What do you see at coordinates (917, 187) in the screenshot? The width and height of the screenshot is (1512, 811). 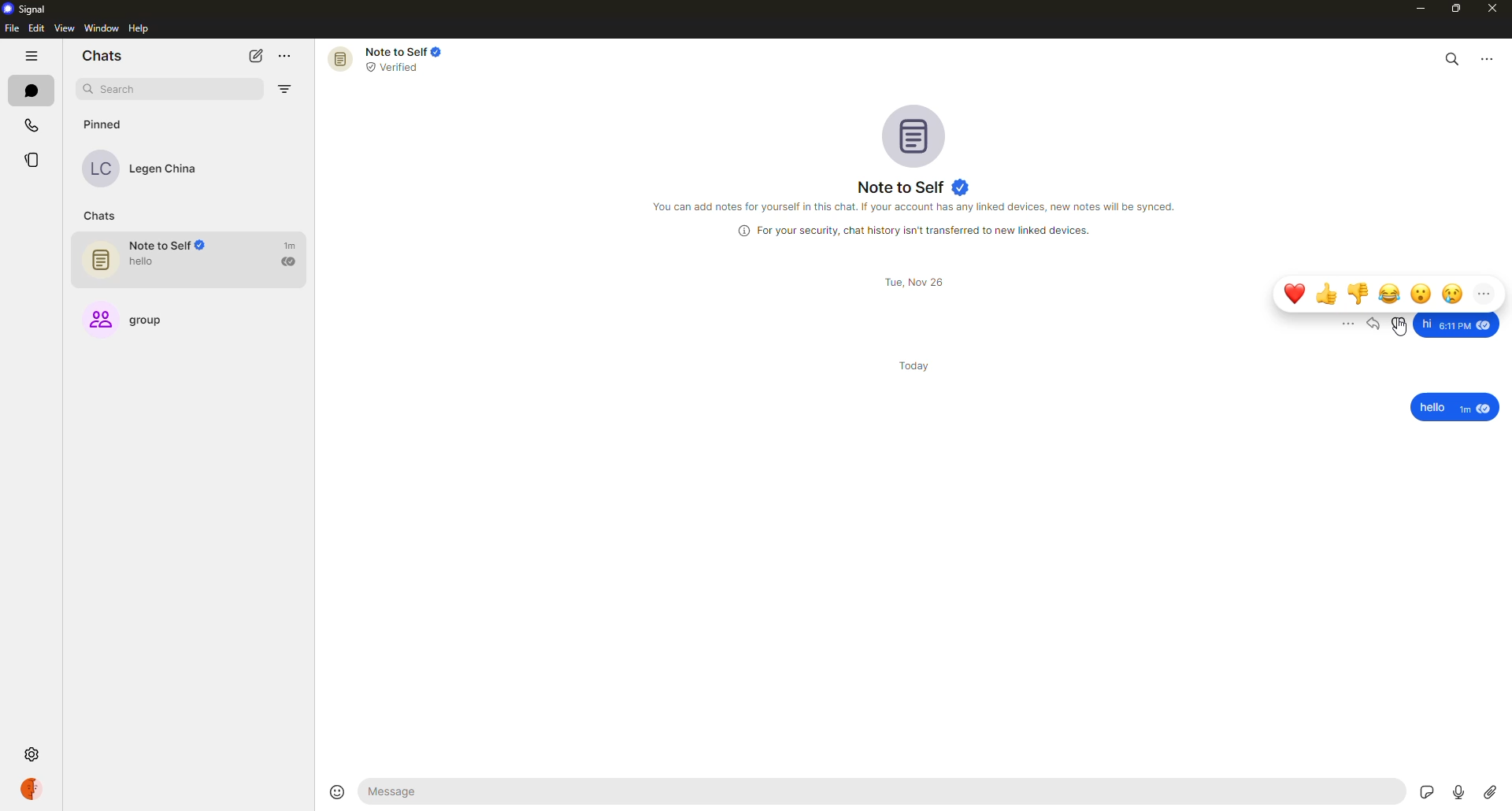 I see `note to self` at bounding box center [917, 187].